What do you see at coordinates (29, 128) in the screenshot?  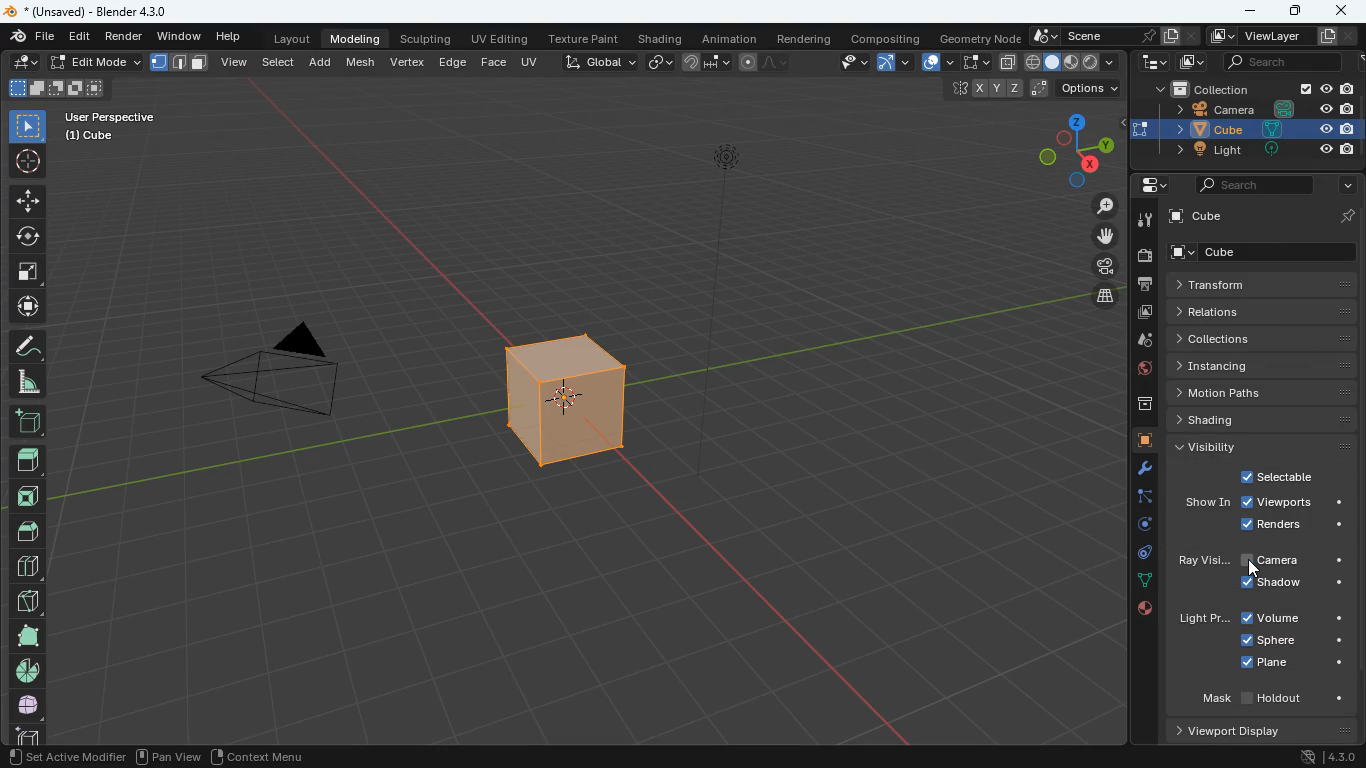 I see `select` at bounding box center [29, 128].